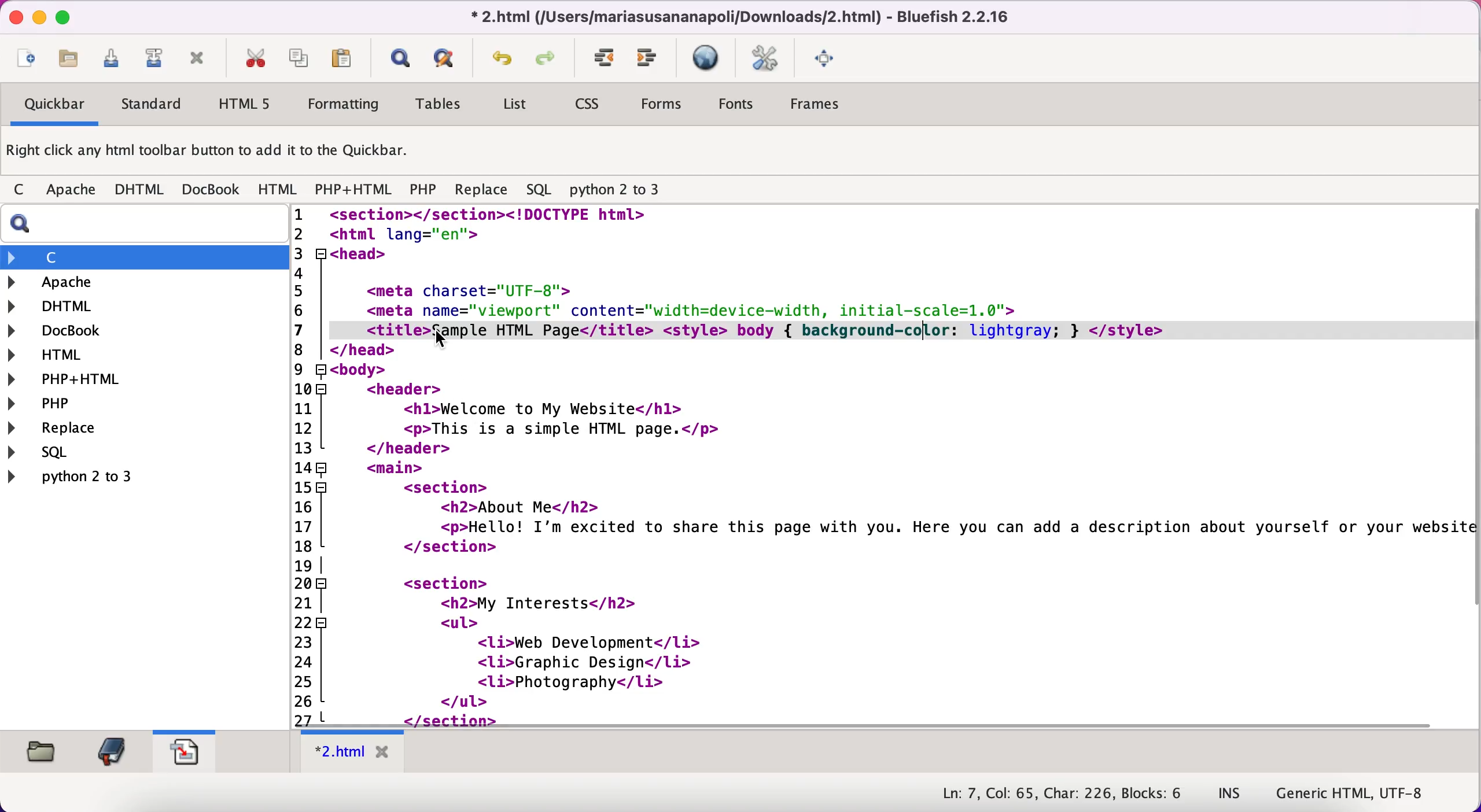 This screenshot has height=812, width=1481. What do you see at coordinates (818, 104) in the screenshot?
I see `frames` at bounding box center [818, 104].